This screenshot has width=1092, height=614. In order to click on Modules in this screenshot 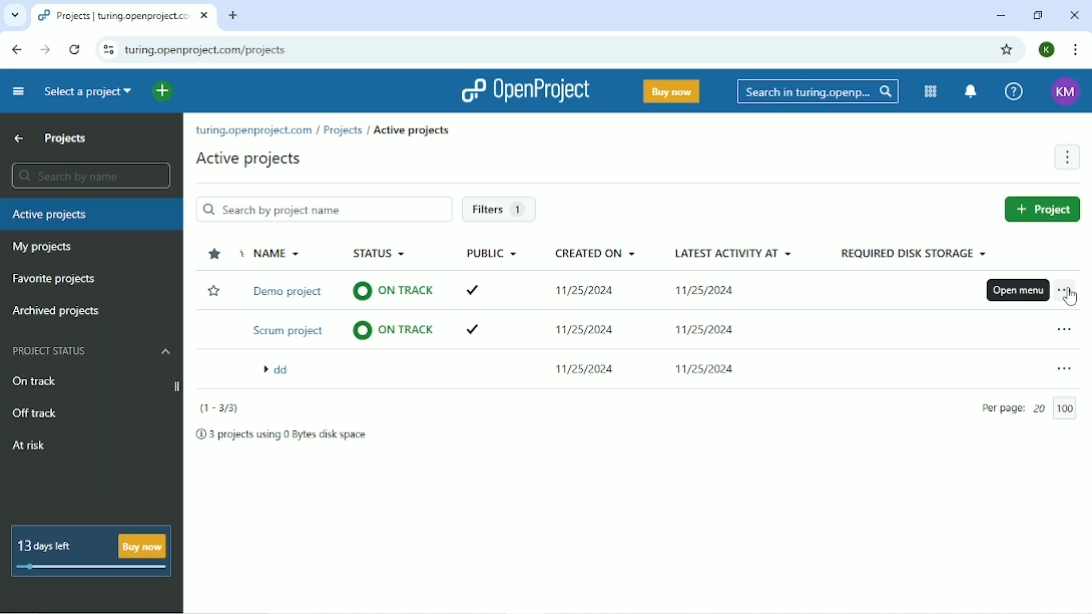, I will do `click(931, 91)`.